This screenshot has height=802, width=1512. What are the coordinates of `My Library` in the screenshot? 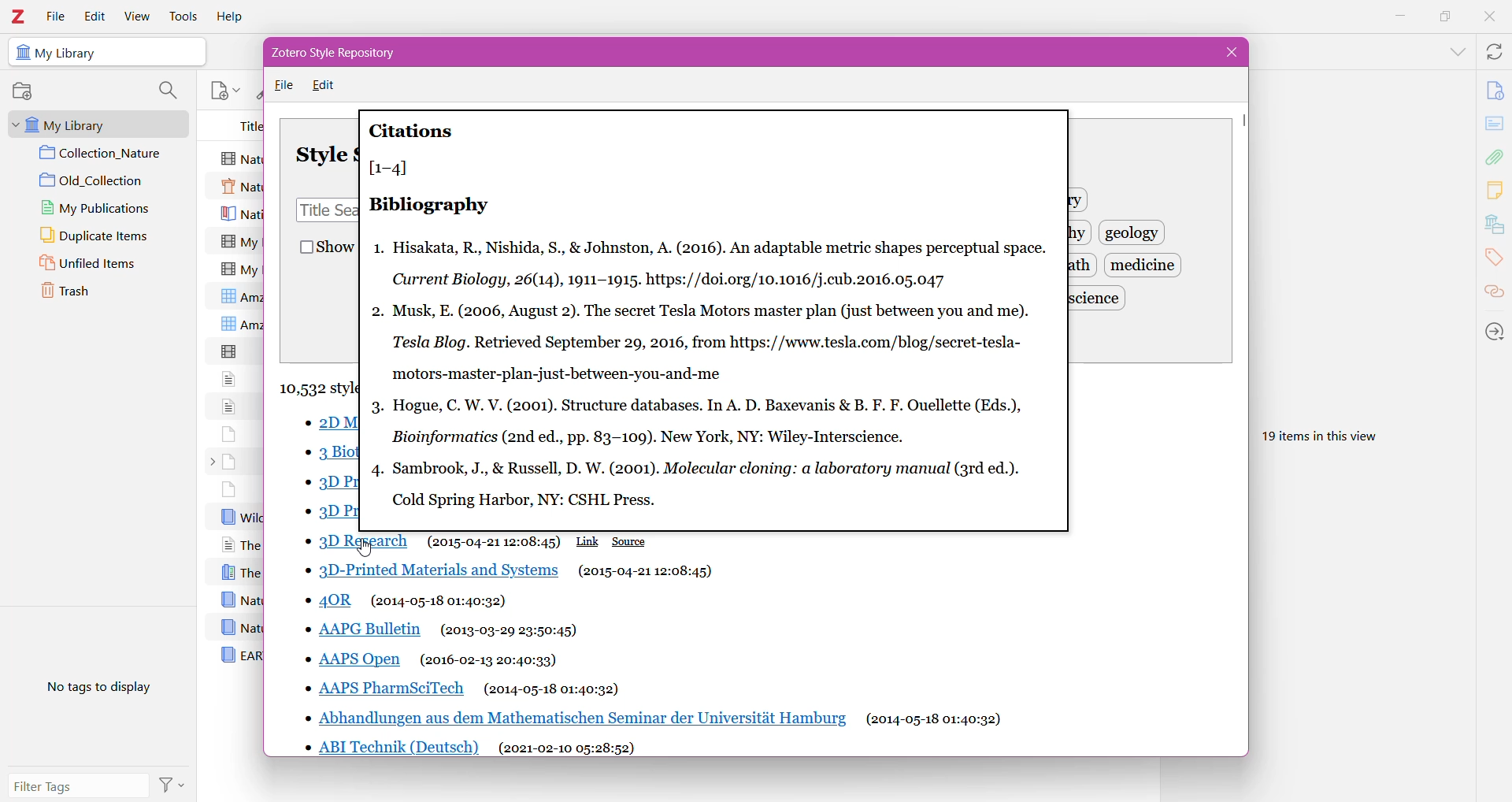 It's located at (71, 54).